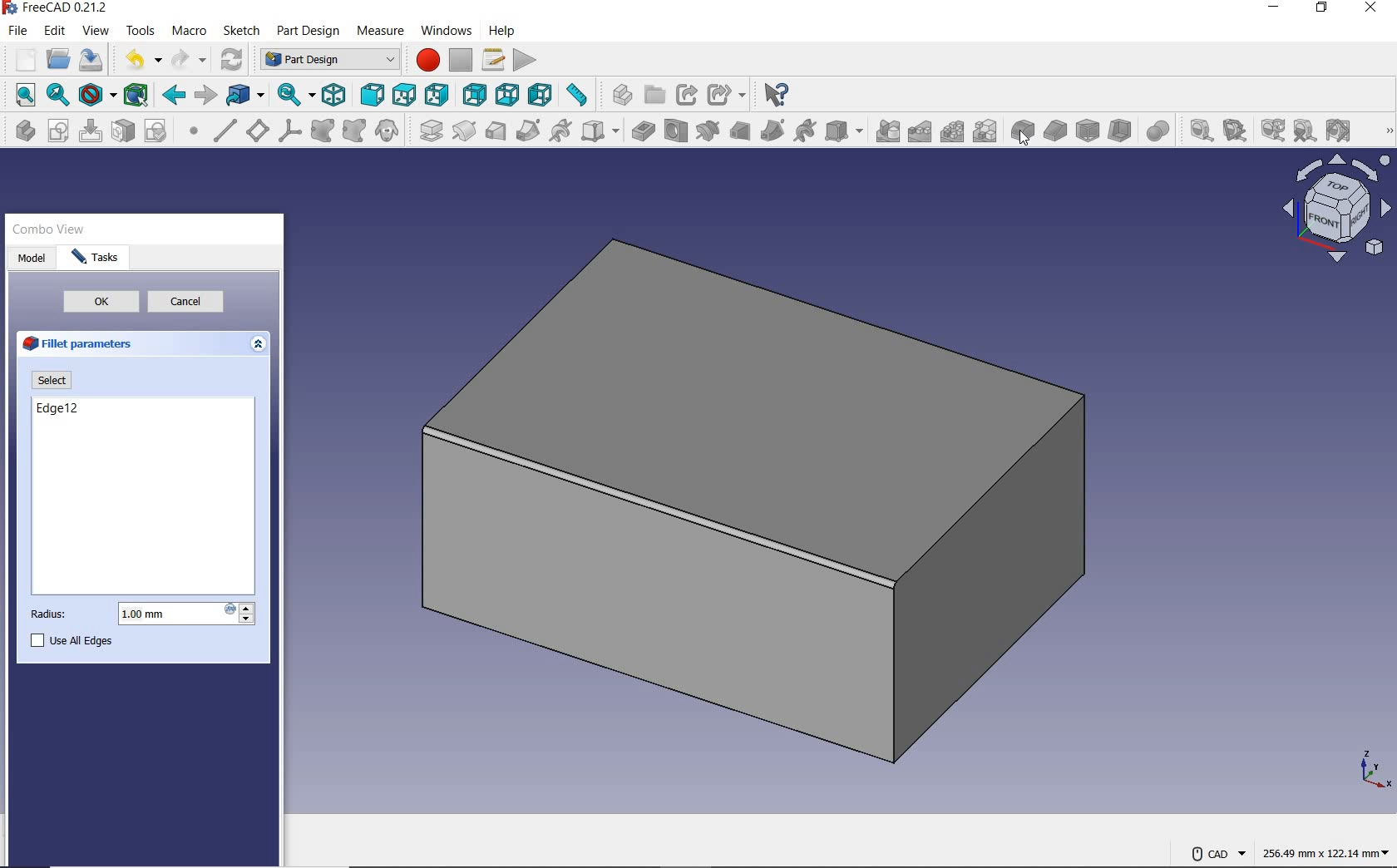 The image size is (1397, 868). Describe the element at coordinates (462, 58) in the screenshot. I see `stop macro recording` at that location.